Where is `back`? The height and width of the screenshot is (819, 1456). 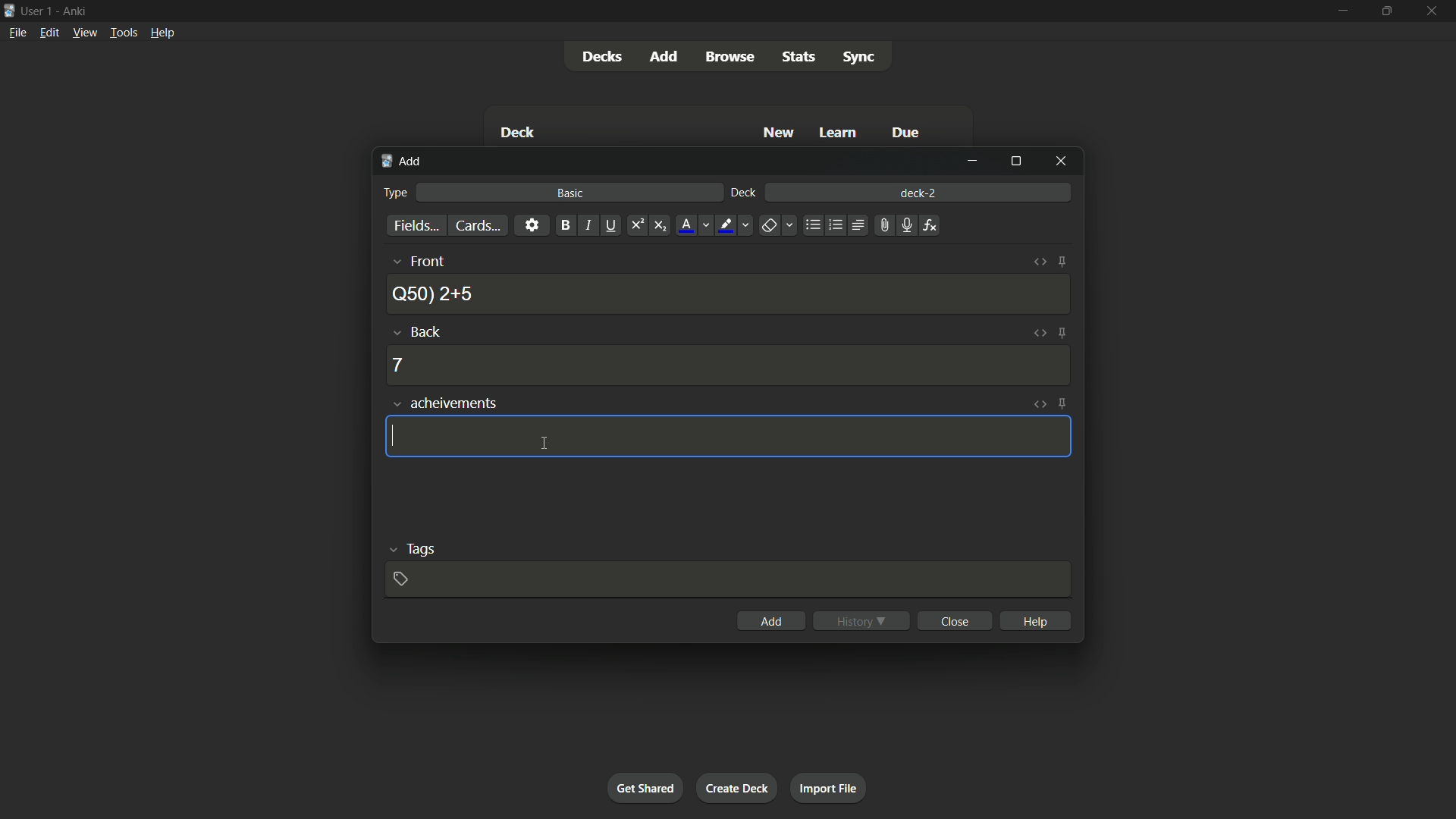
back is located at coordinates (418, 331).